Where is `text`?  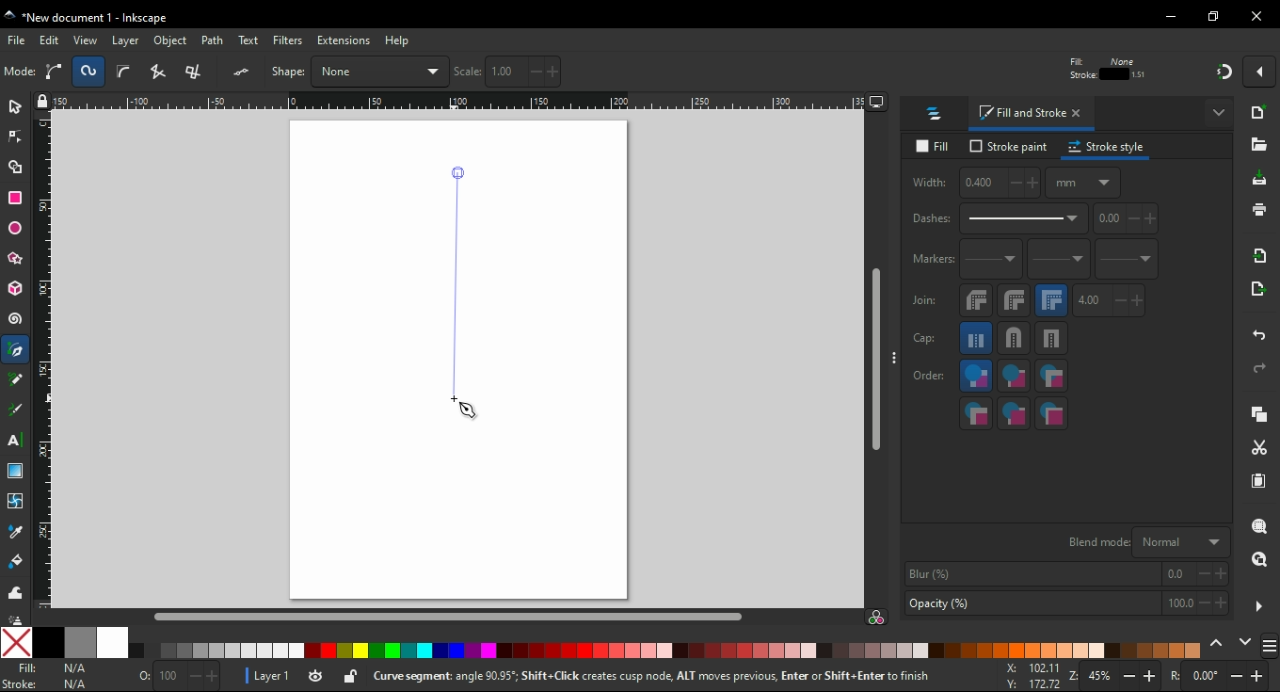 text is located at coordinates (250, 41).